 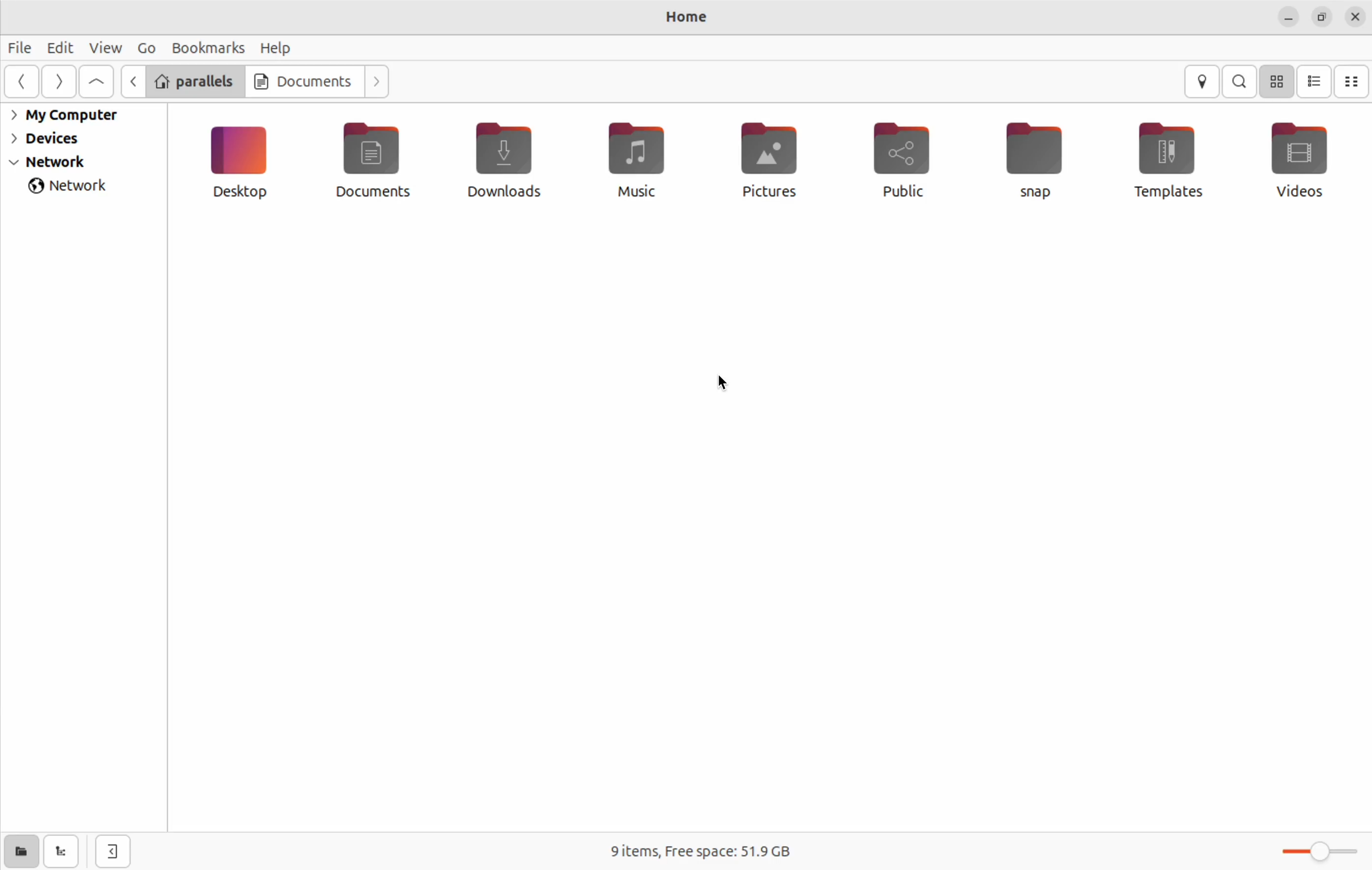 I want to click on Desktop, so click(x=244, y=162).